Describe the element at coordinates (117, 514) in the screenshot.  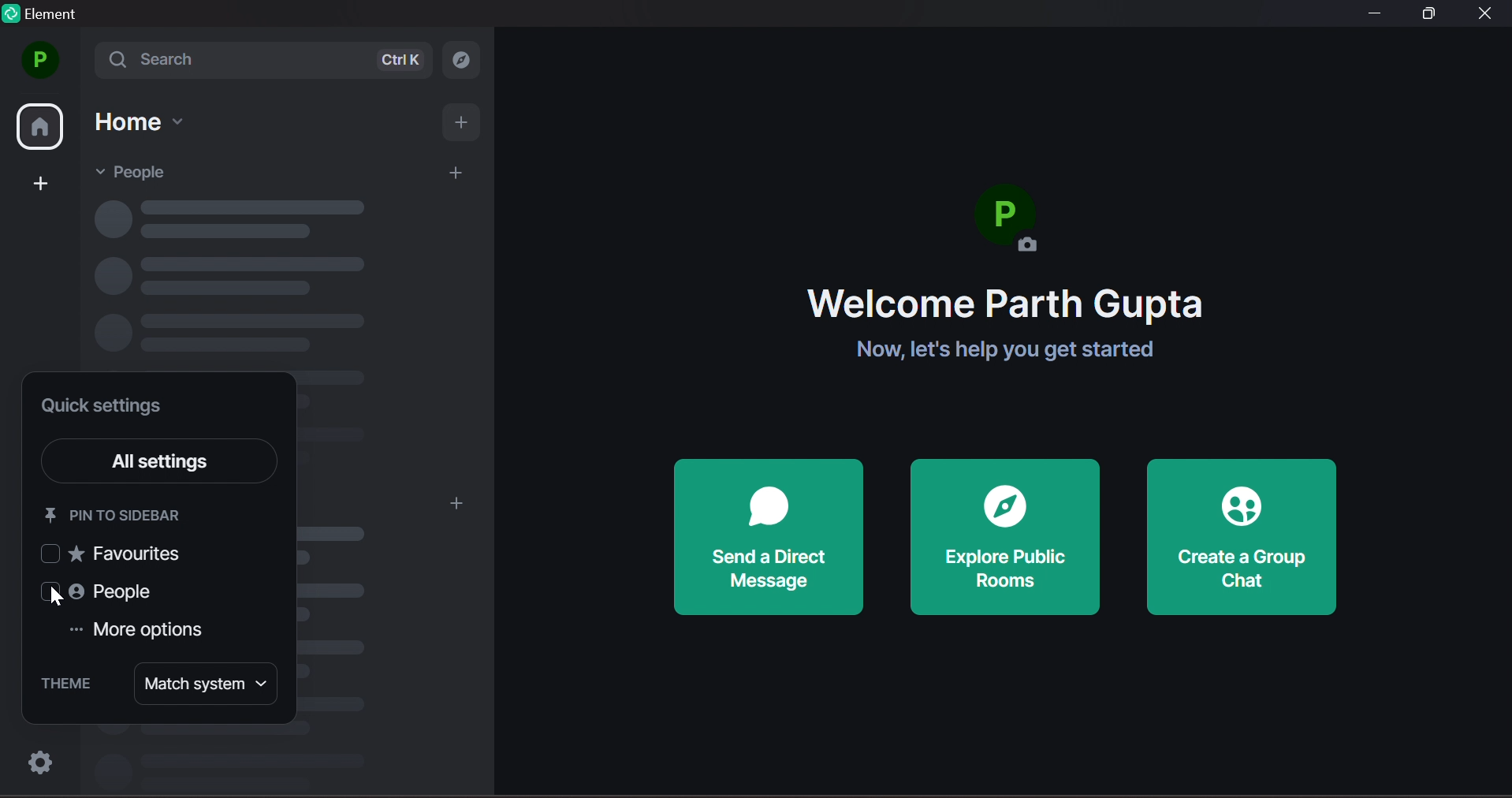
I see `PIN TO SIDEBAR` at that location.